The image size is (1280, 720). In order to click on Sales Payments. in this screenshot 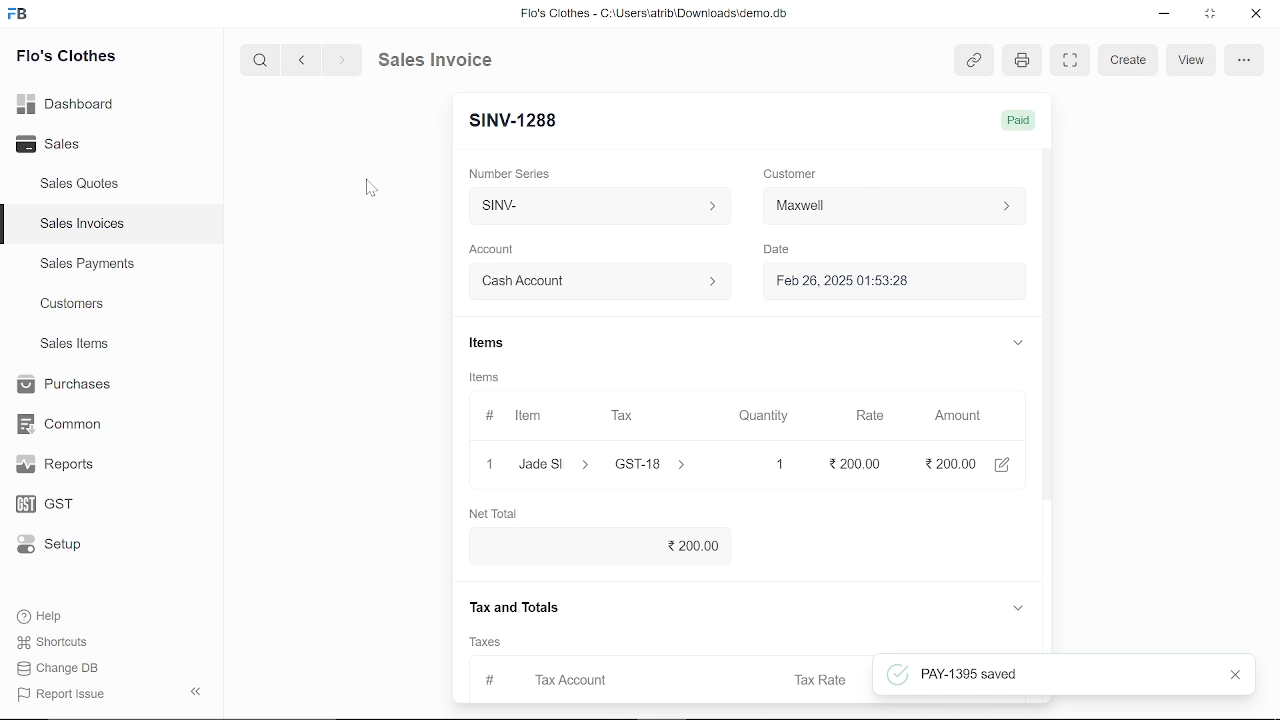, I will do `click(86, 264)`.